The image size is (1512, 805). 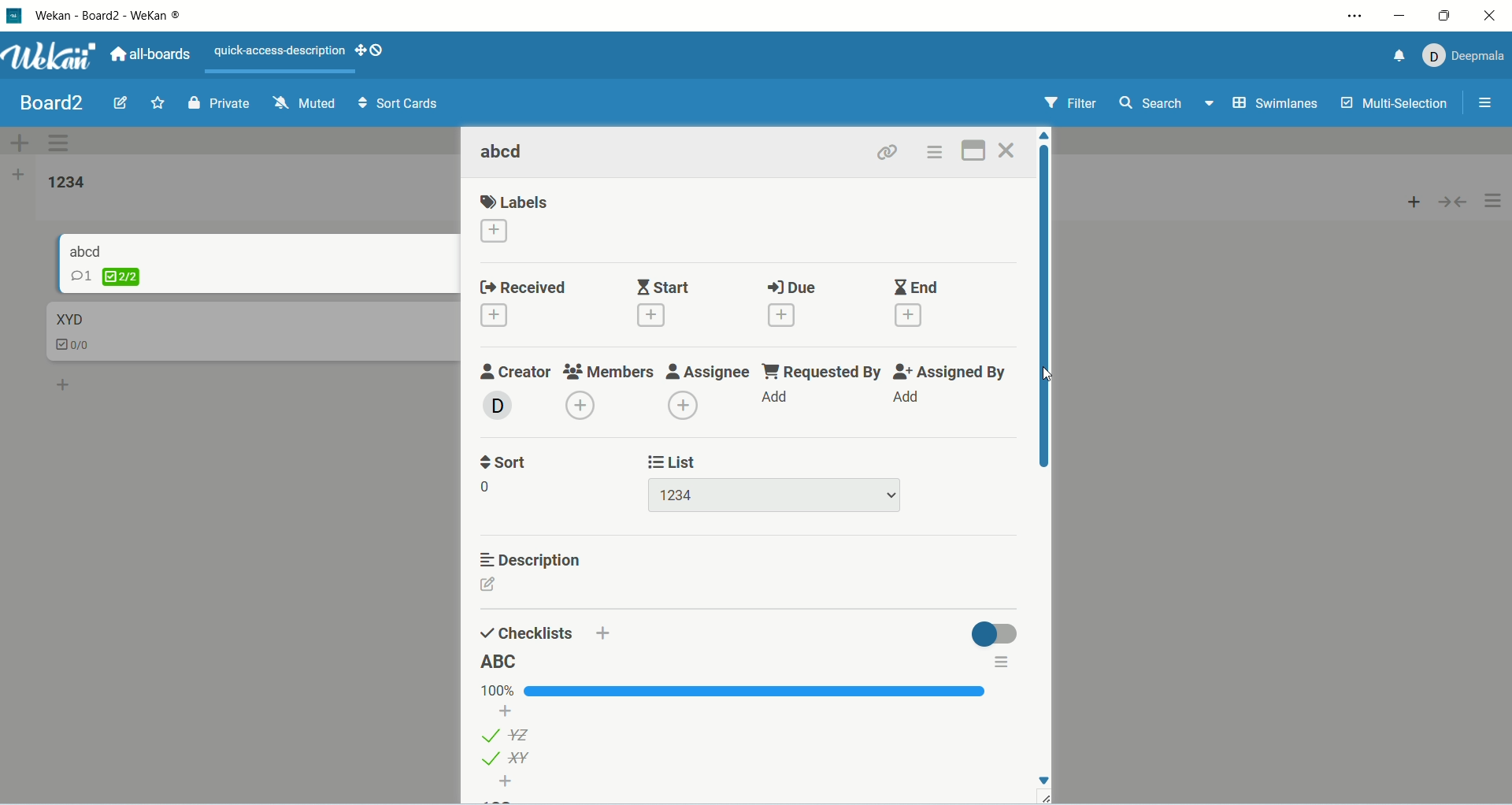 I want to click on muted, so click(x=306, y=102).